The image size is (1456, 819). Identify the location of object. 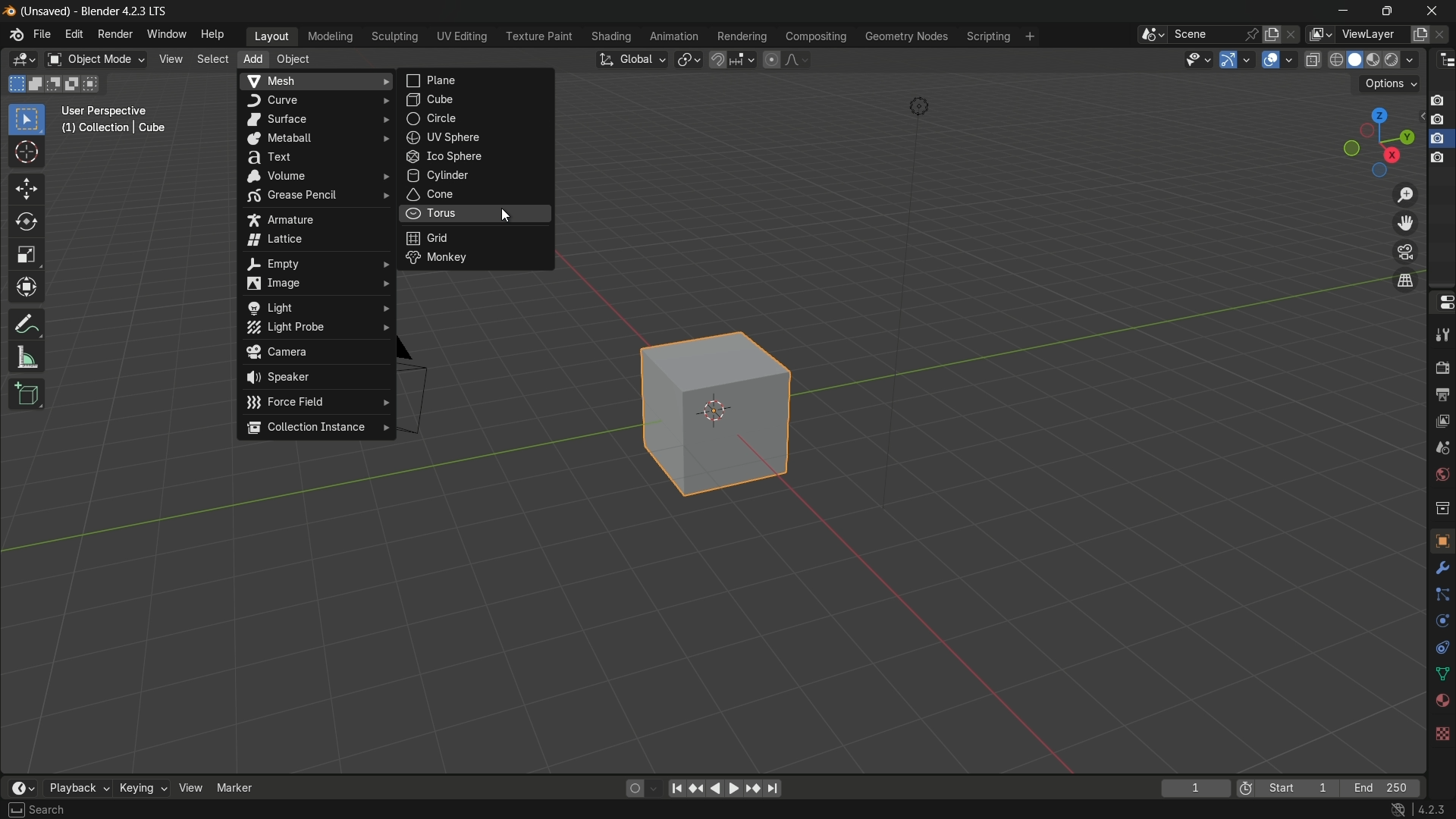
(1442, 540).